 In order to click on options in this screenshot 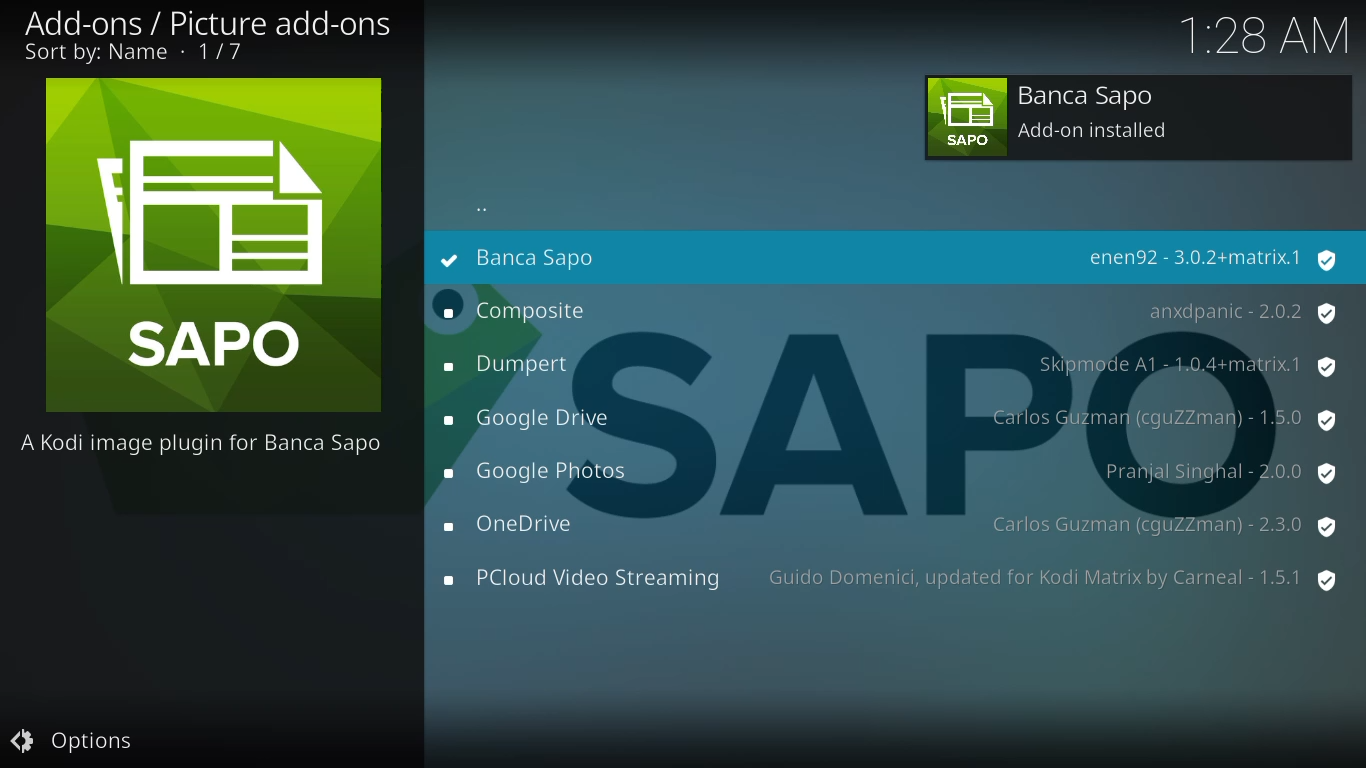, I will do `click(74, 739)`.